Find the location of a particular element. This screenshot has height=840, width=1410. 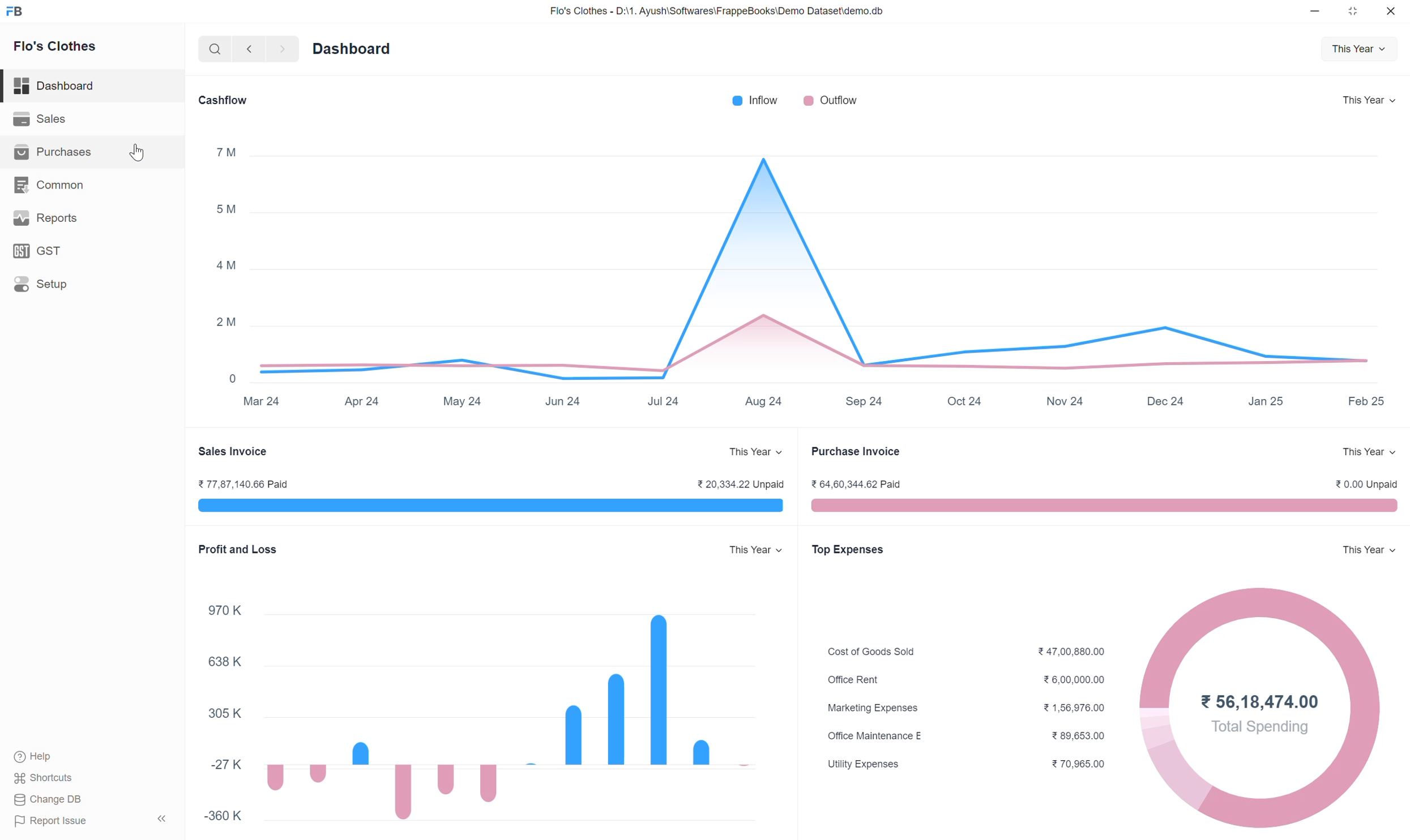

Cost of Goods Sold is located at coordinates (871, 652).